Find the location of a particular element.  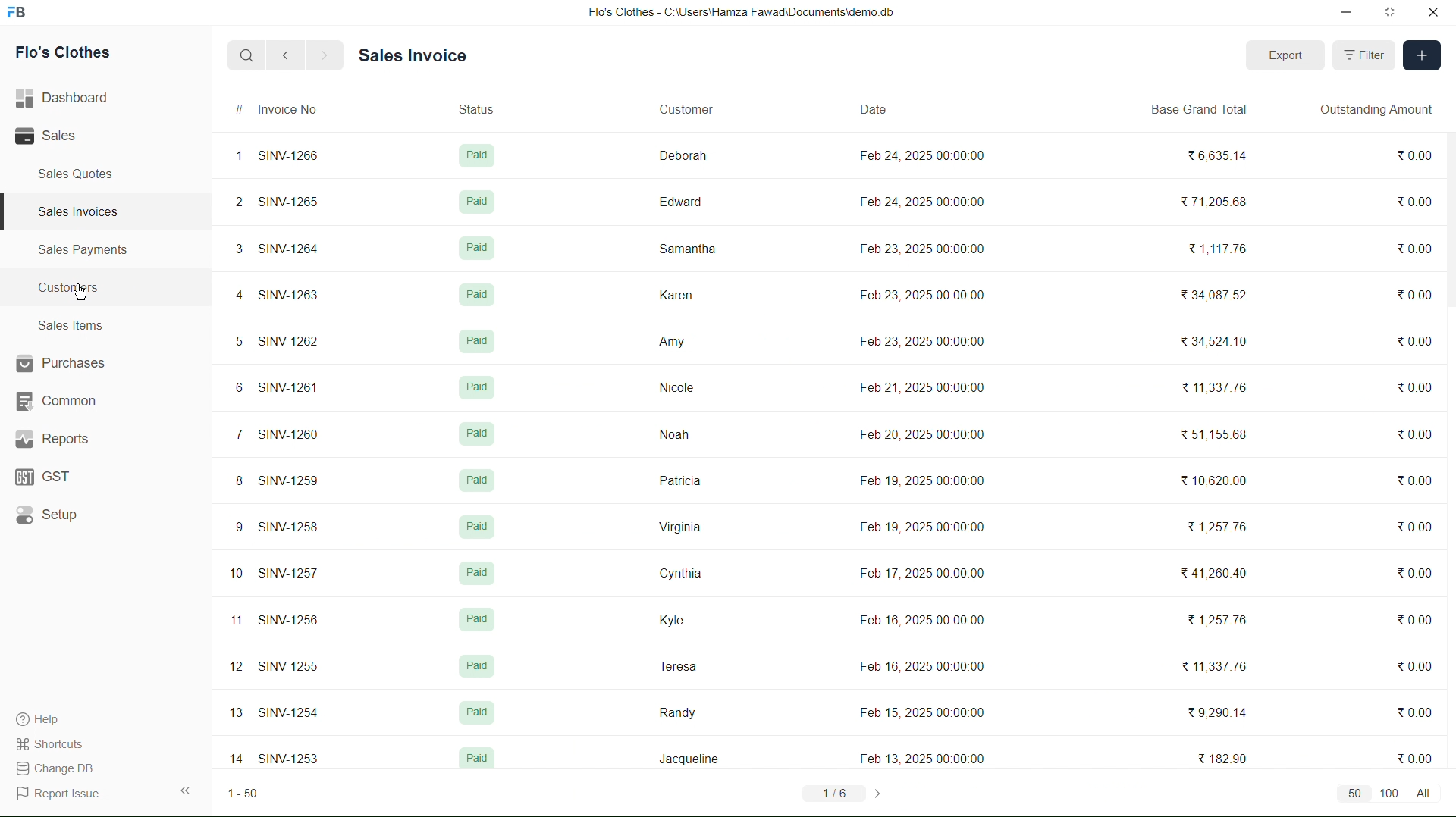

Feb 21, 2025 00:00:00 is located at coordinates (927, 384).